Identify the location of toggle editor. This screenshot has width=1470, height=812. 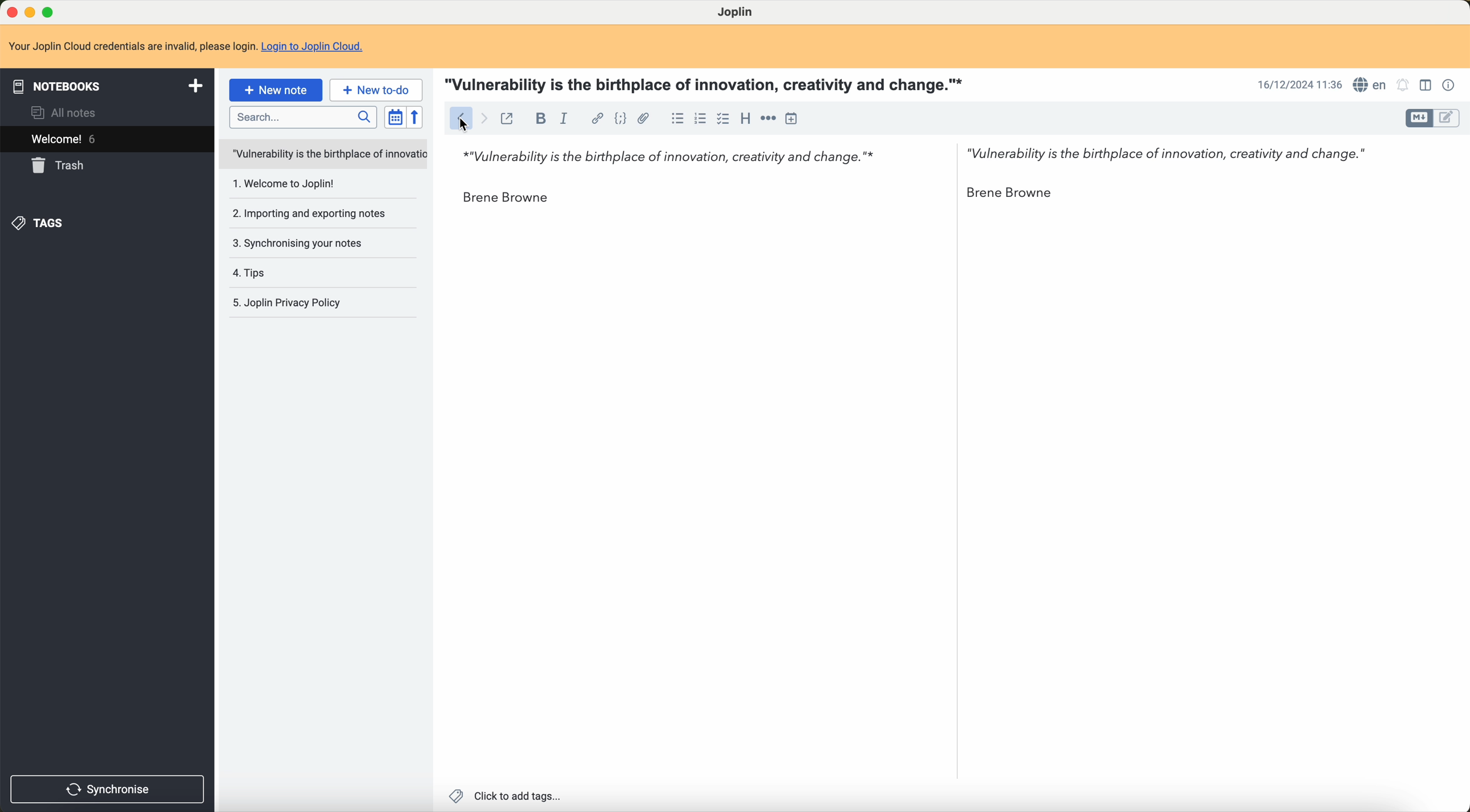
(1451, 118).